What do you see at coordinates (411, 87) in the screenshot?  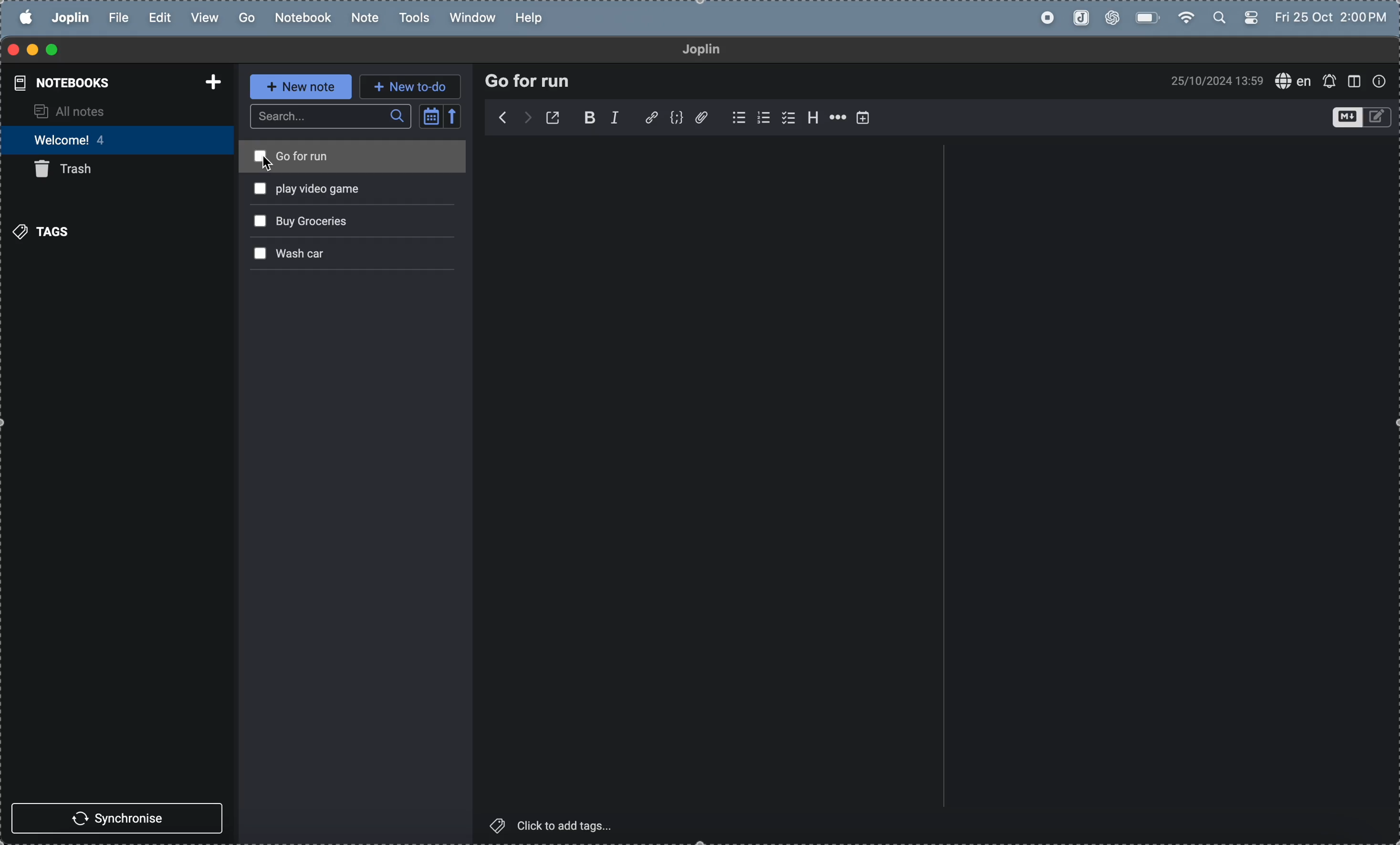 I see `new to do` at bounding box center [411, 87].